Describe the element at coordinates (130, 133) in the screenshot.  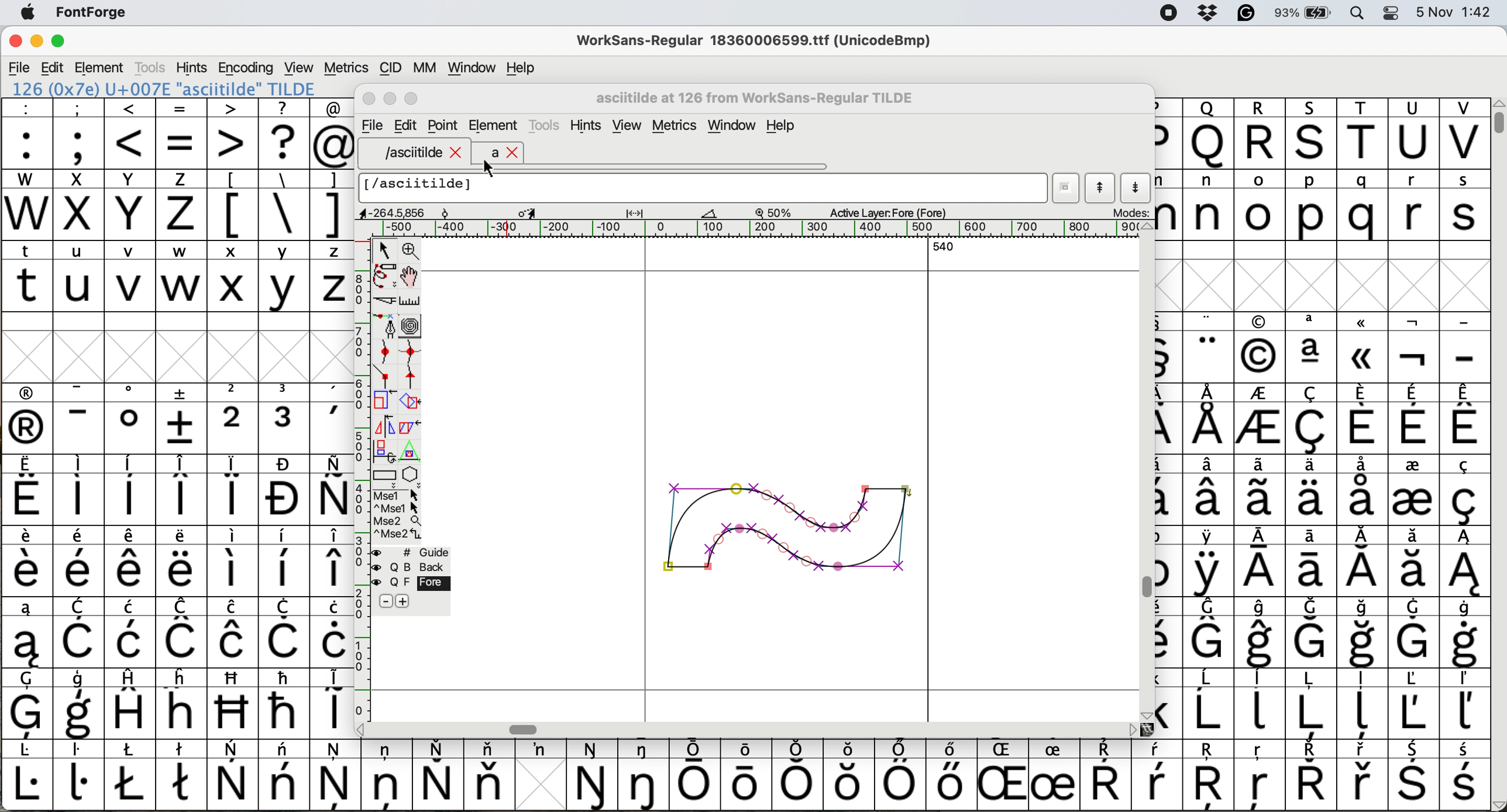
I see `<` at that location.